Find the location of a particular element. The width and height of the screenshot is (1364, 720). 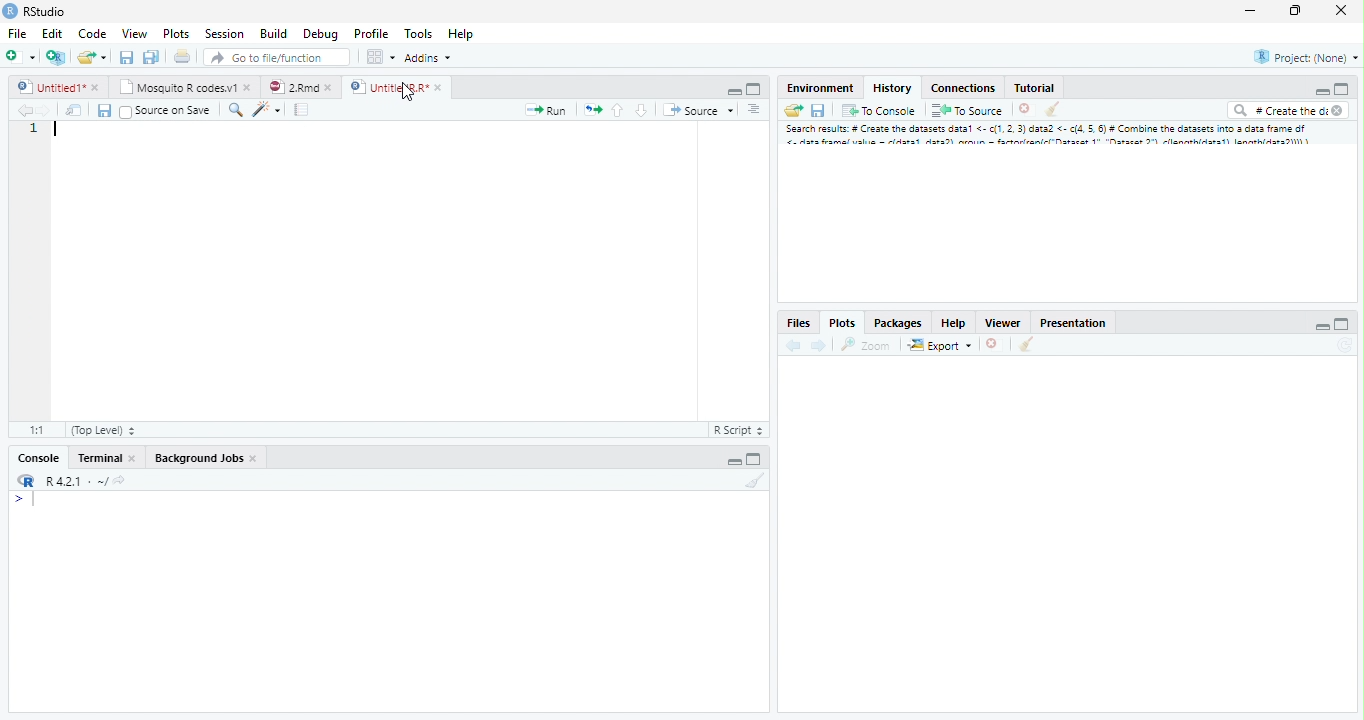

Alignment is located at coordinates (755, 113).